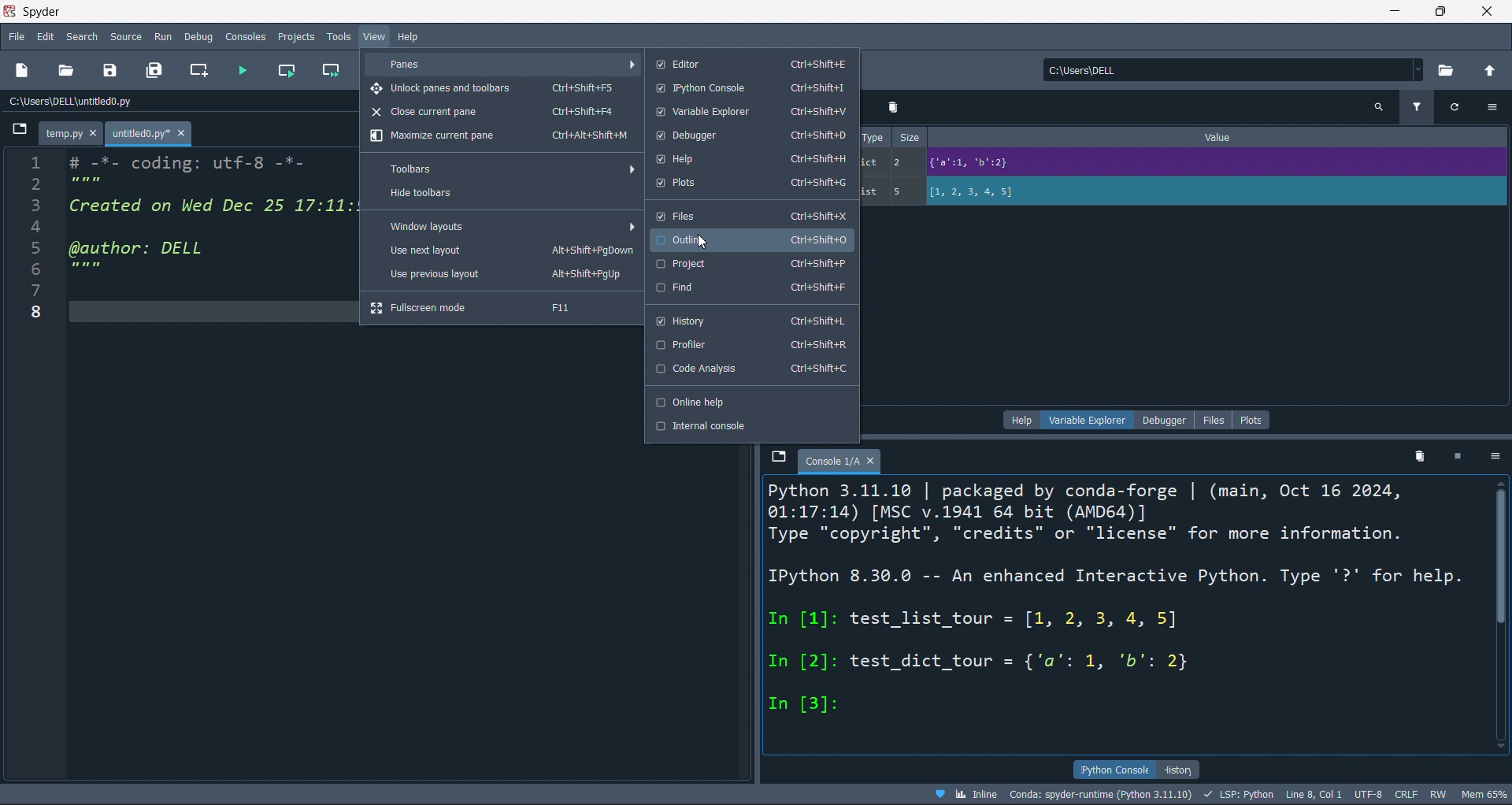 The height and width of the screenshot is (805, 1512). What do you see at coordinates (156, 73) in the screenshot?
I see `save all` at bounding box center [156, 73].